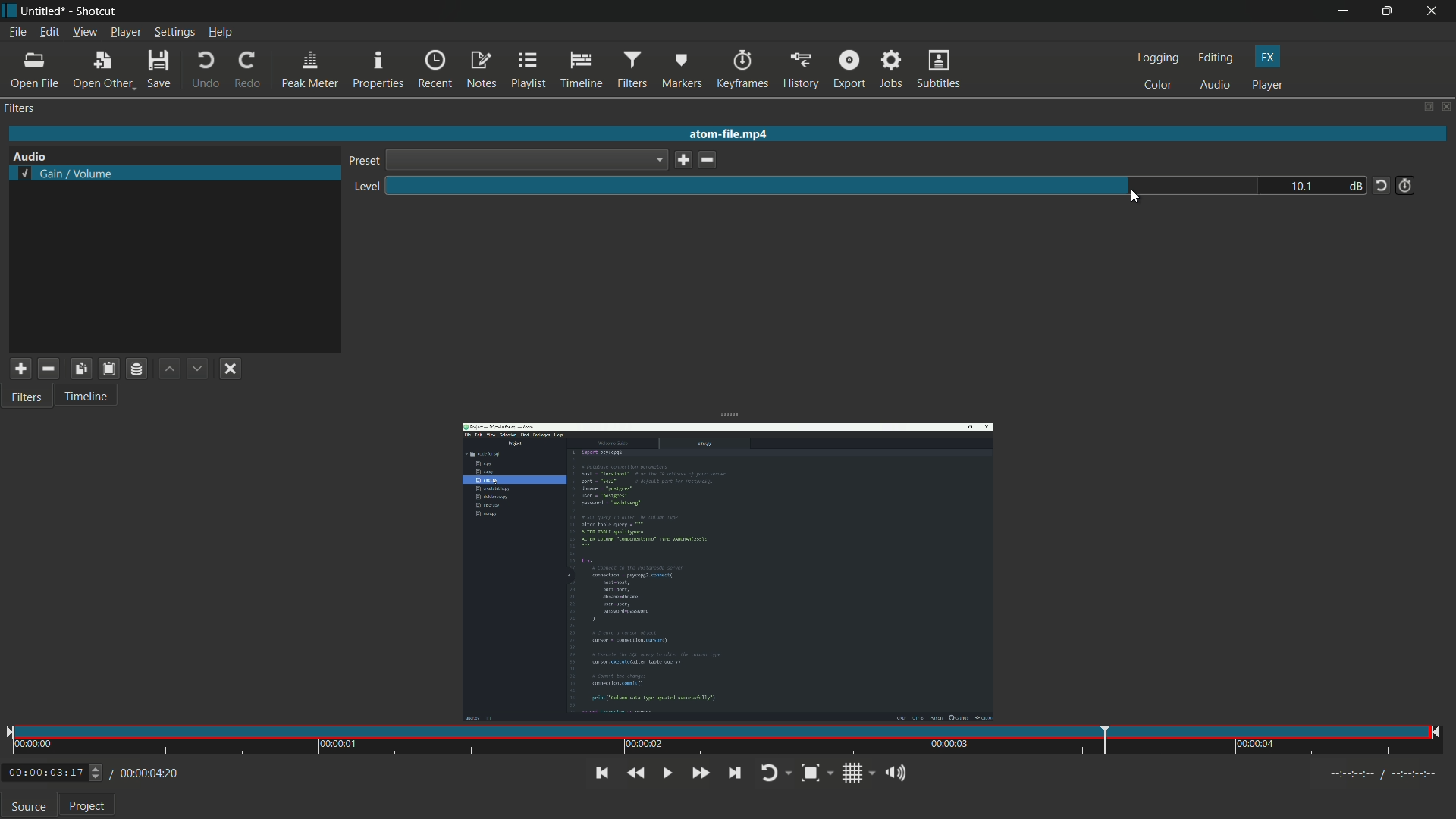 The width and height of the screenshot is (1456, 819). Describe the element at coordinates (49, 369) in the screenshot. I see `remove selected filter` at that location.